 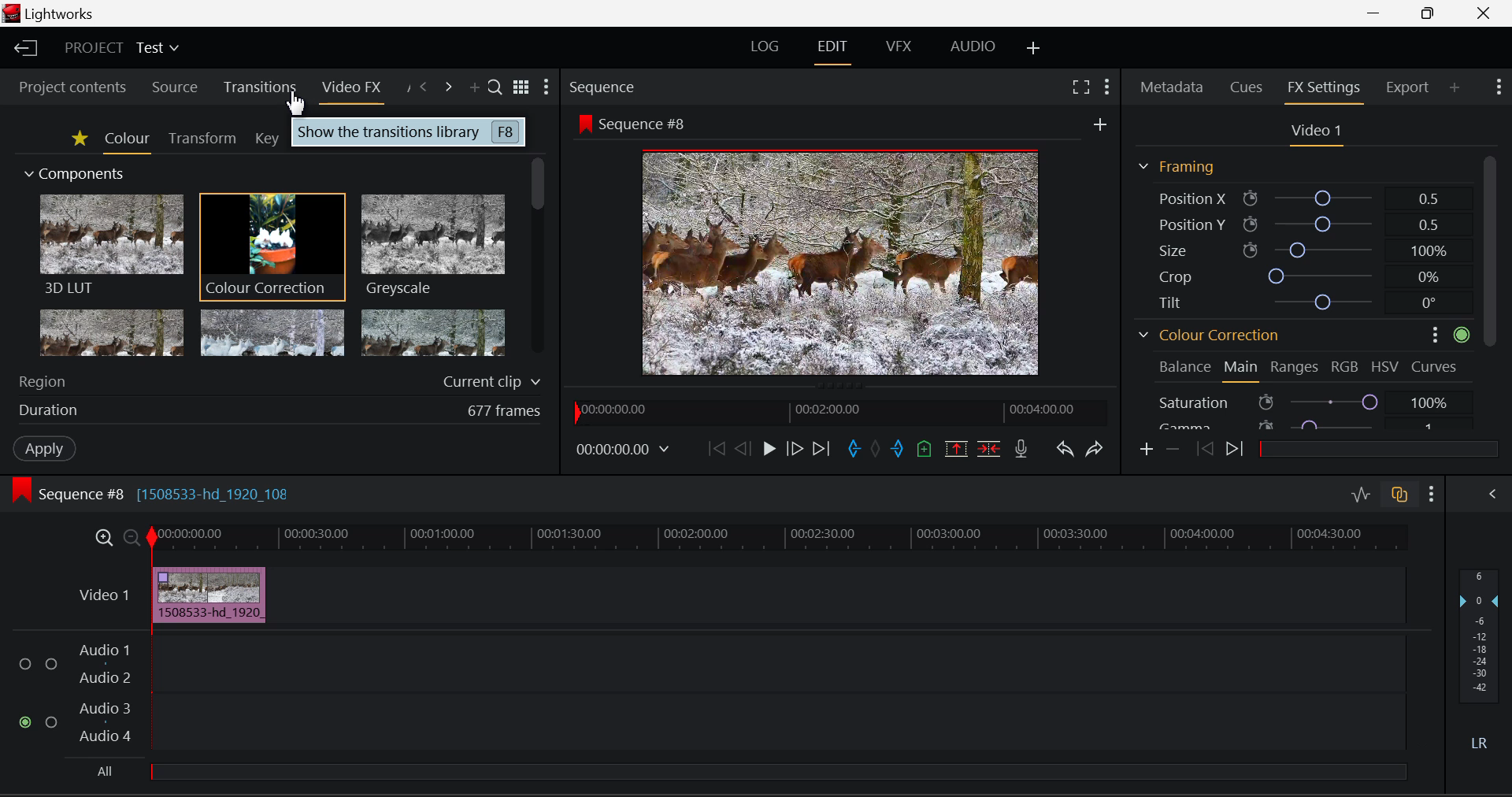 I want to click on Mark Out, so click(x=898, y=449).